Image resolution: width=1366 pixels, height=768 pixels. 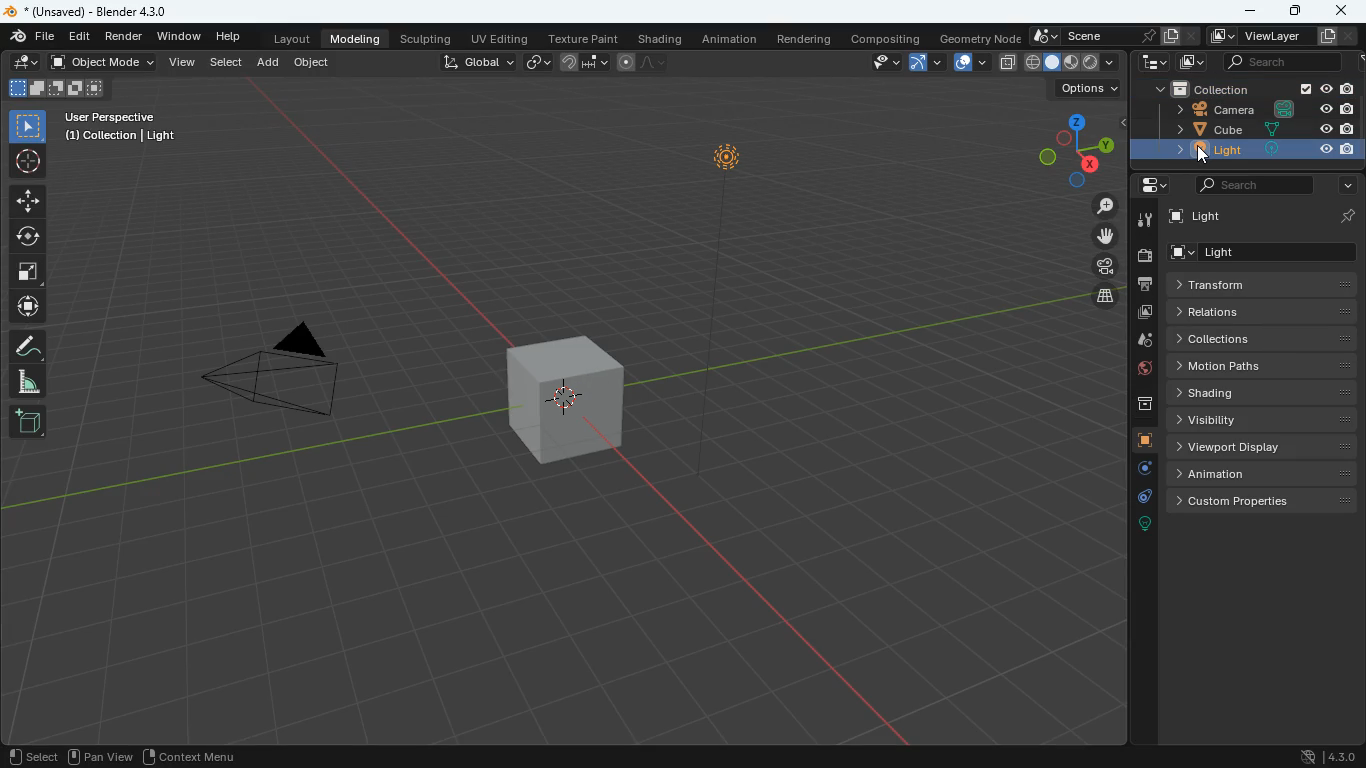 I want to click on filled, so click(x=1071, y=63).